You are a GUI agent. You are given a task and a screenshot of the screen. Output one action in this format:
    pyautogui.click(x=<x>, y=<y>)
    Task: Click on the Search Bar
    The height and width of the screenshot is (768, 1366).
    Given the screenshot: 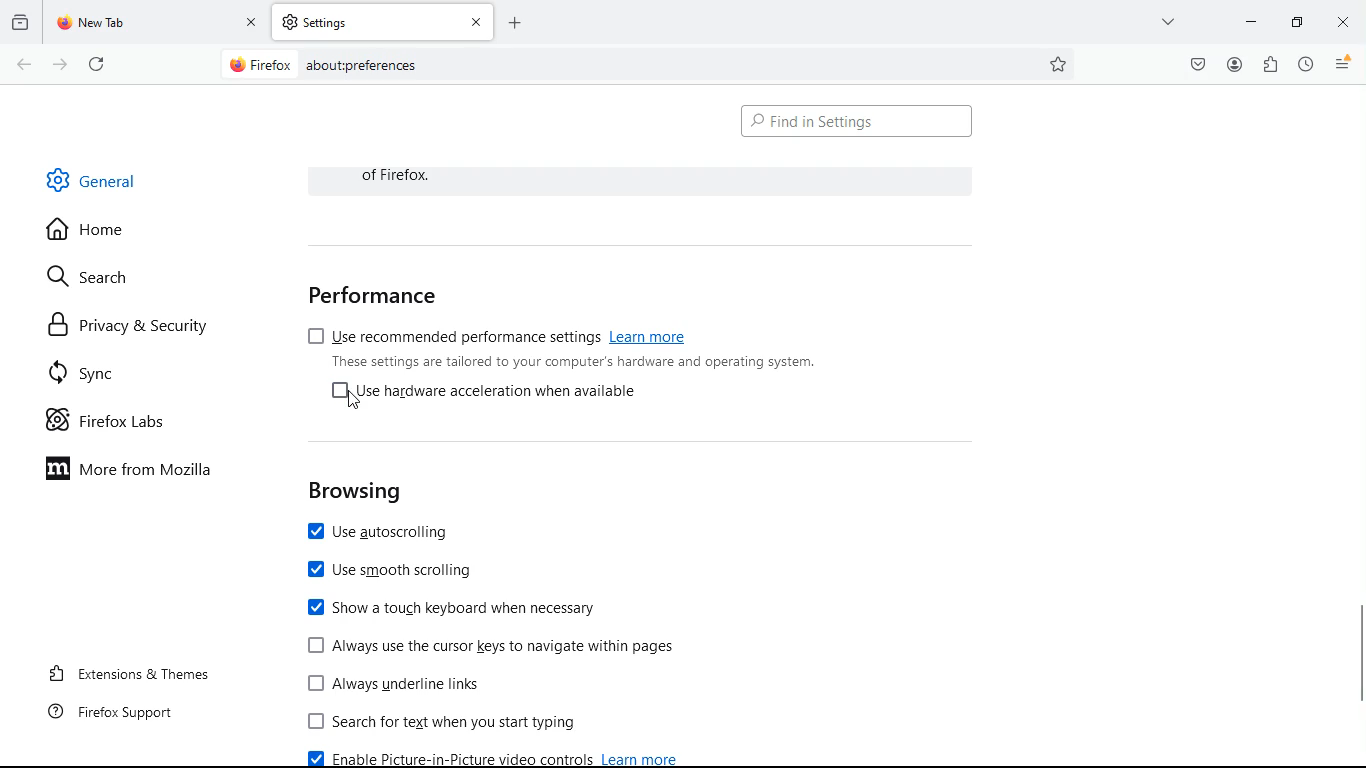 What is the action you would take?
    pyautogui.click(x=646, y=63)
    